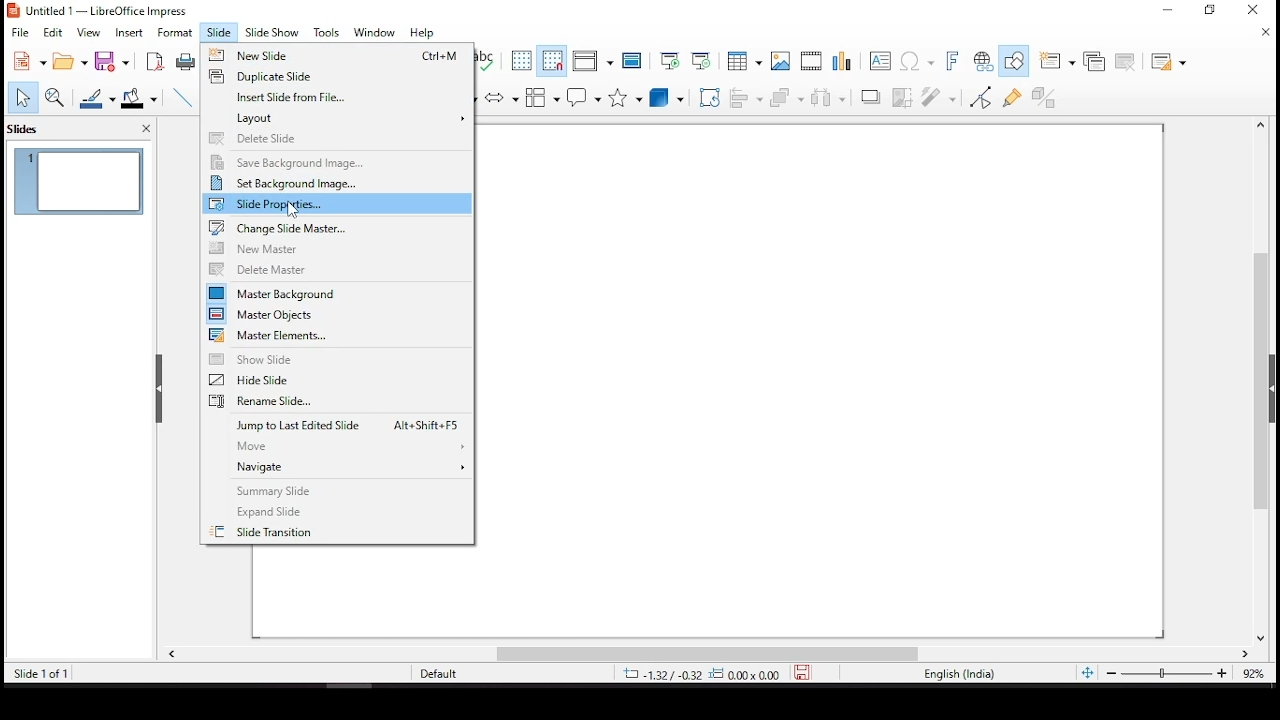 This screenshot has height=720, width=1280. What do you see at coordinates (371, 27) in the screenshot?
I see `window` at bounding box center [371, 27].